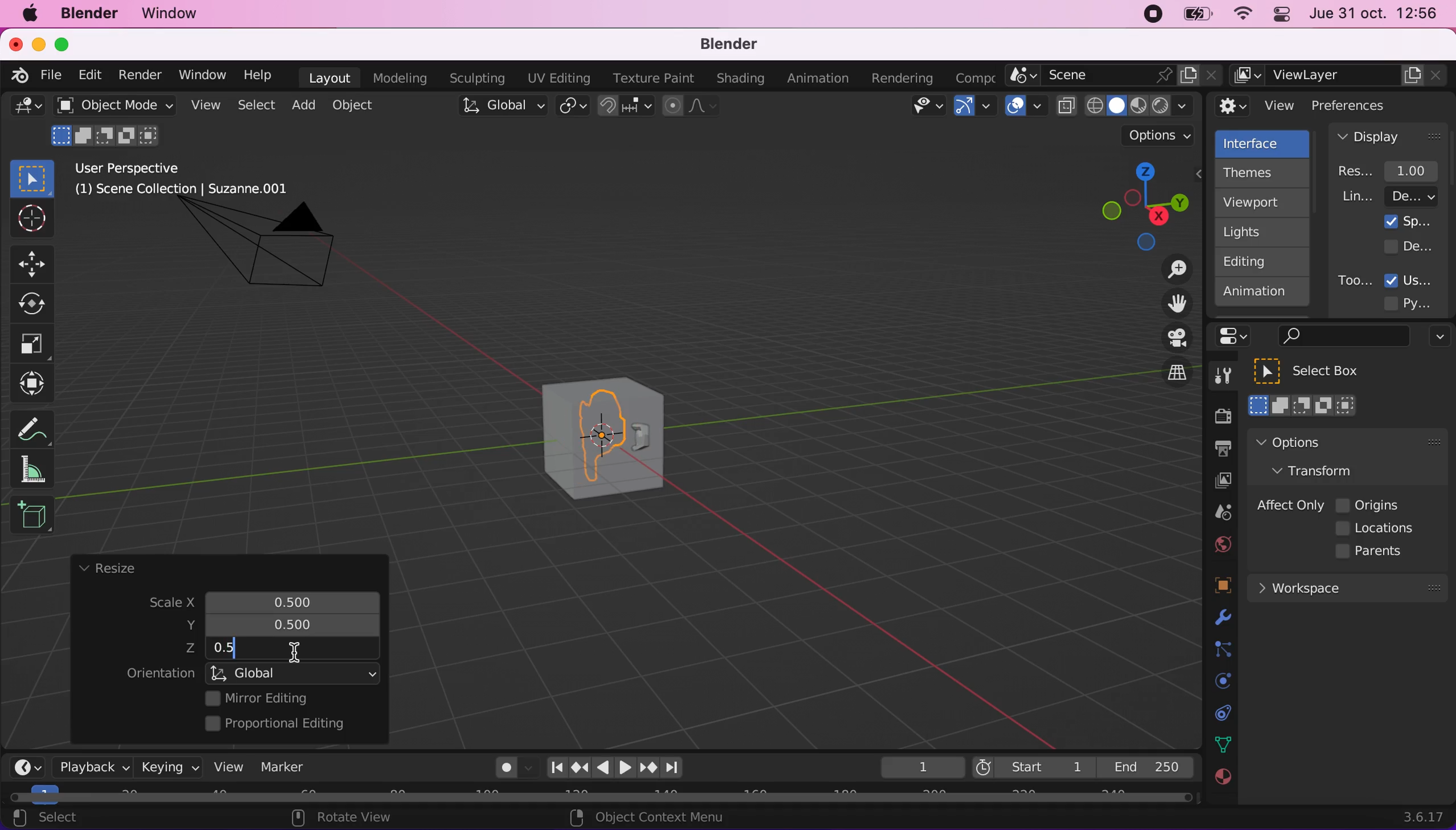 The width and height of the screenshot is (1456, 830). I want to click on viewport, so click(1265, 202).